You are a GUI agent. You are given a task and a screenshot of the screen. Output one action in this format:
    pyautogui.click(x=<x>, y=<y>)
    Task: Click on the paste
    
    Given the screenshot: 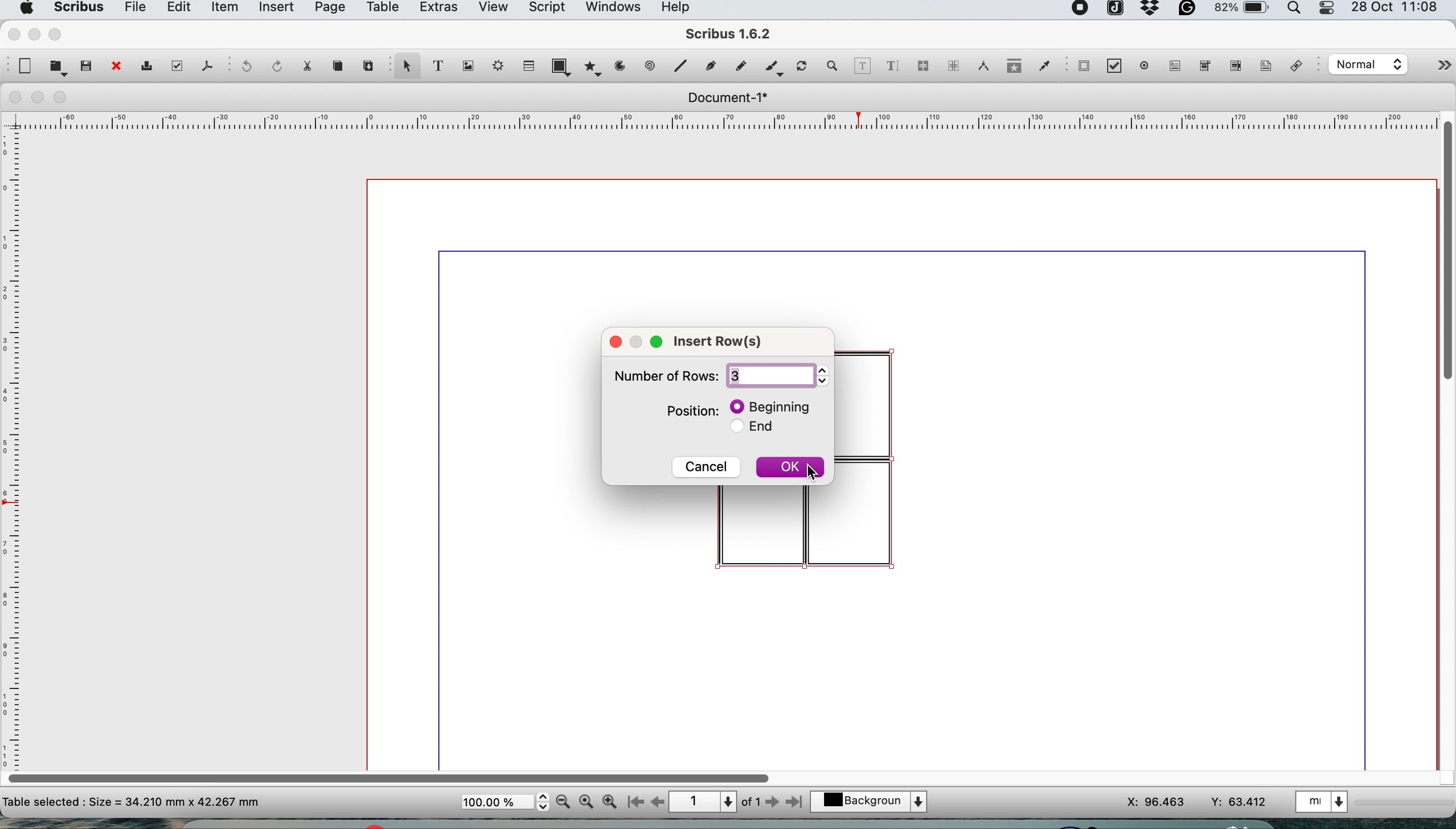 What is the action you would take?
    pyautogui.click(x=367, y=64)
    